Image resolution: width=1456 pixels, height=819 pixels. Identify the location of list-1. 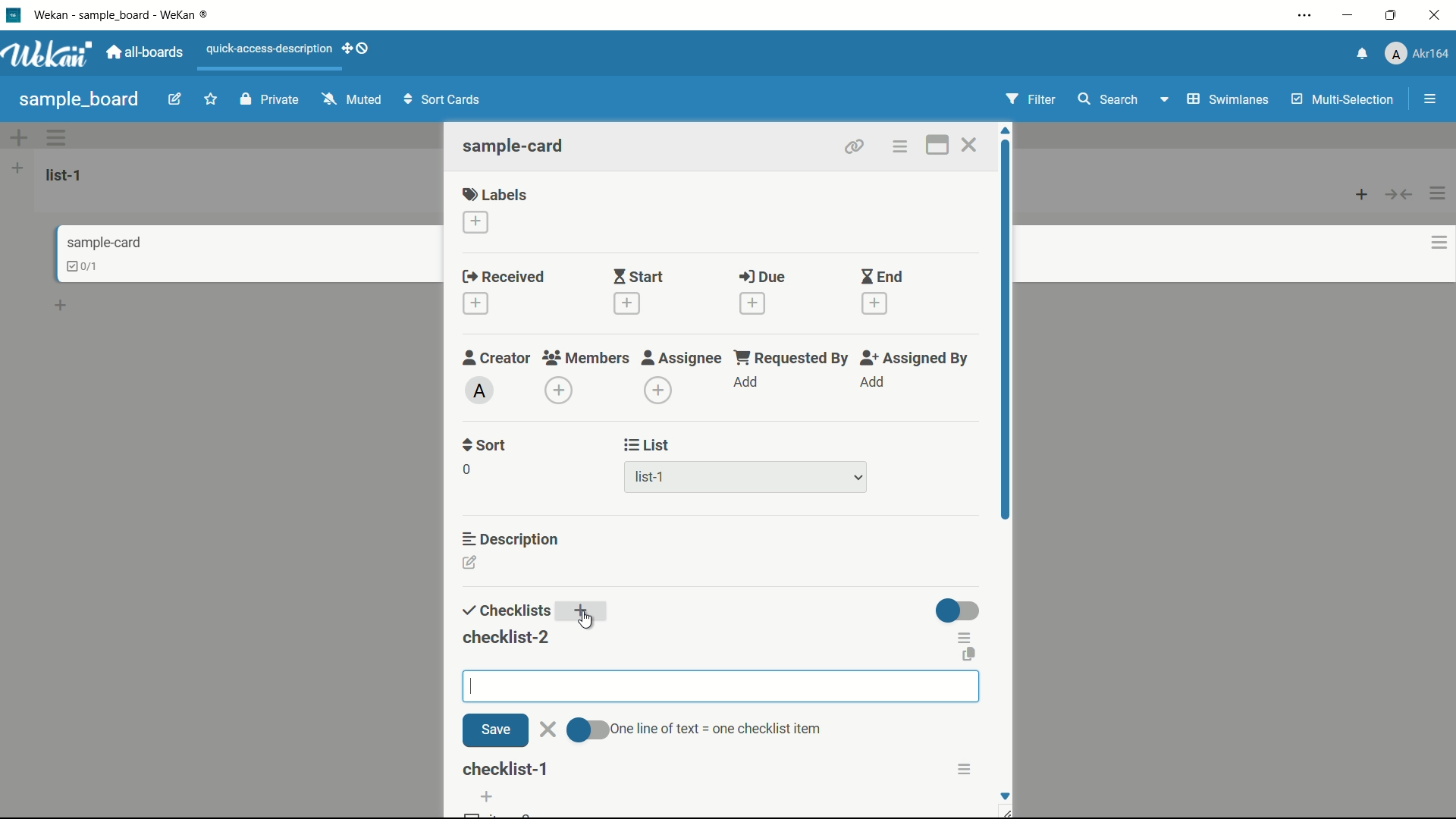
(67, 174).